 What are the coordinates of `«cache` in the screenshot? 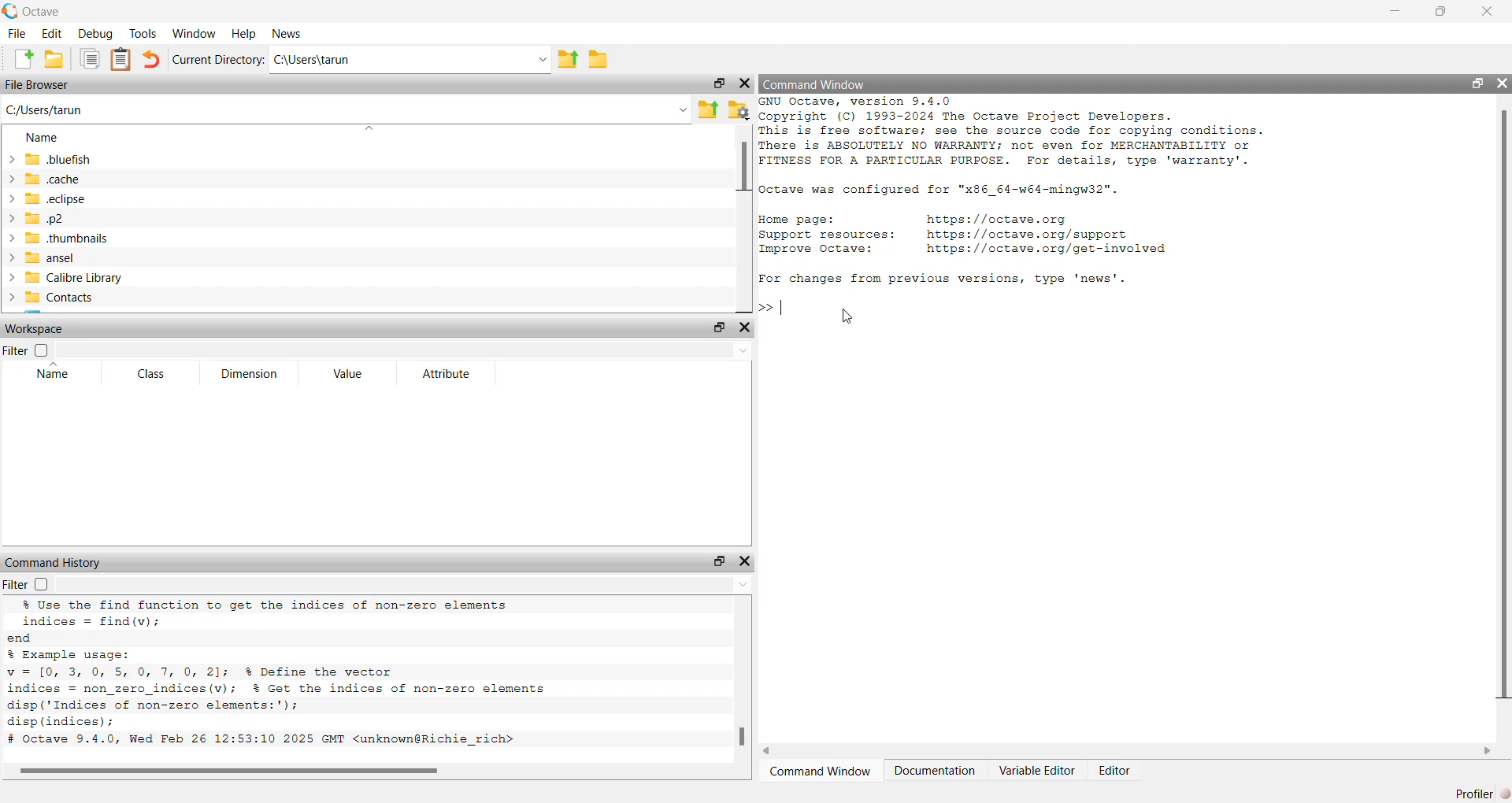 It's located at (42, 179).